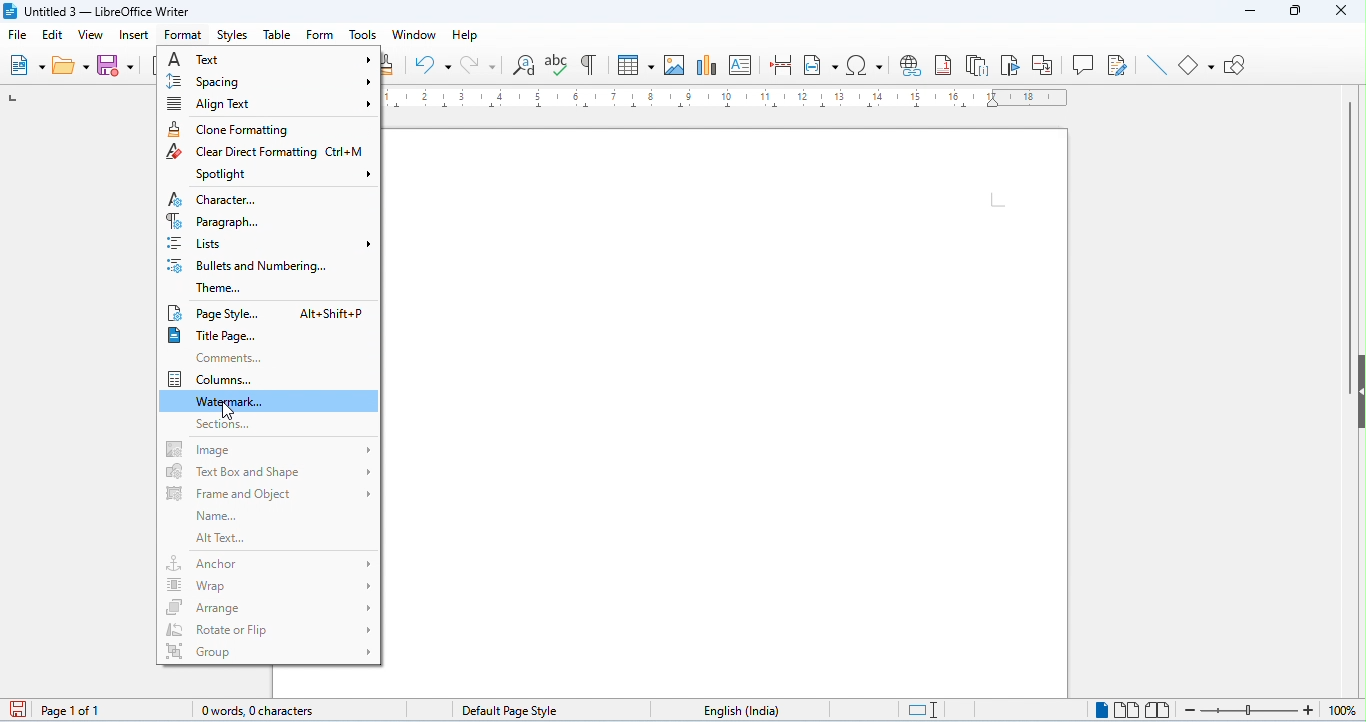 The width and height of the screenshot is (1366, 722). I want to click on redo, so click(479, 65).